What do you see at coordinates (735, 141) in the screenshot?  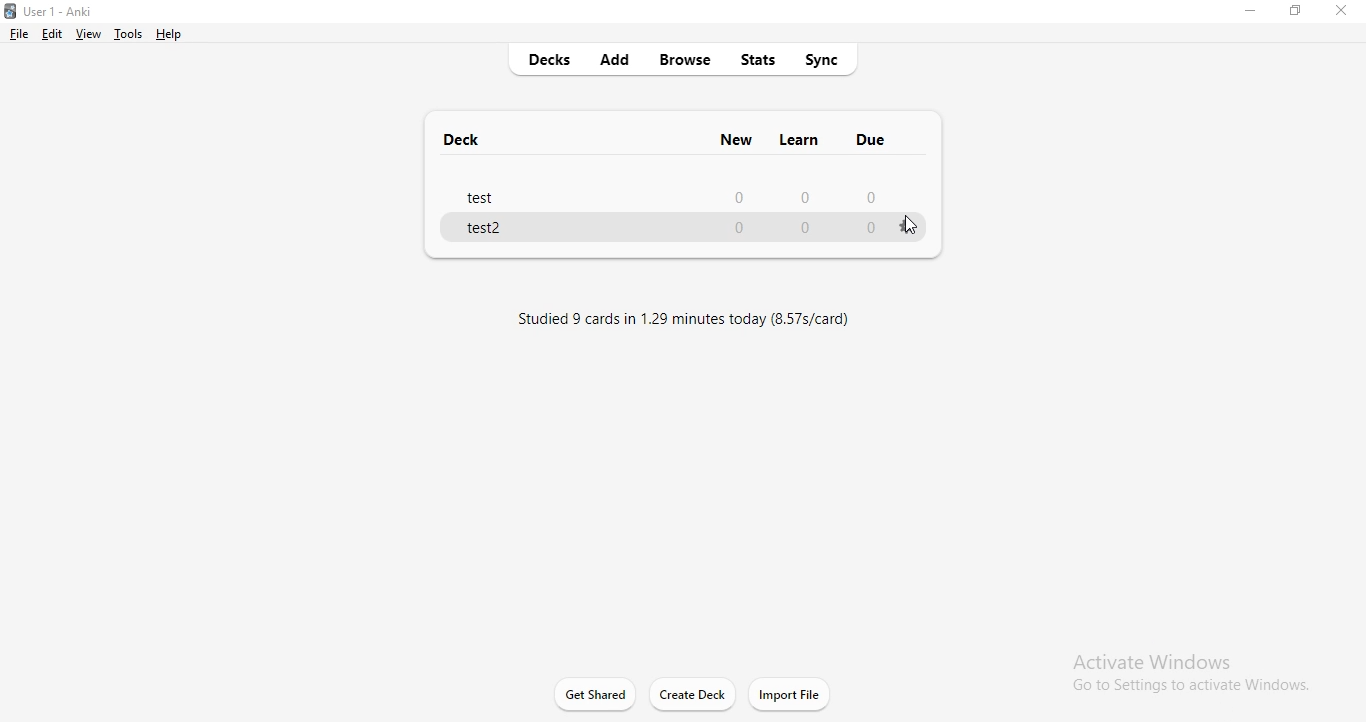 I see `new` at bounding box center [735, 141].